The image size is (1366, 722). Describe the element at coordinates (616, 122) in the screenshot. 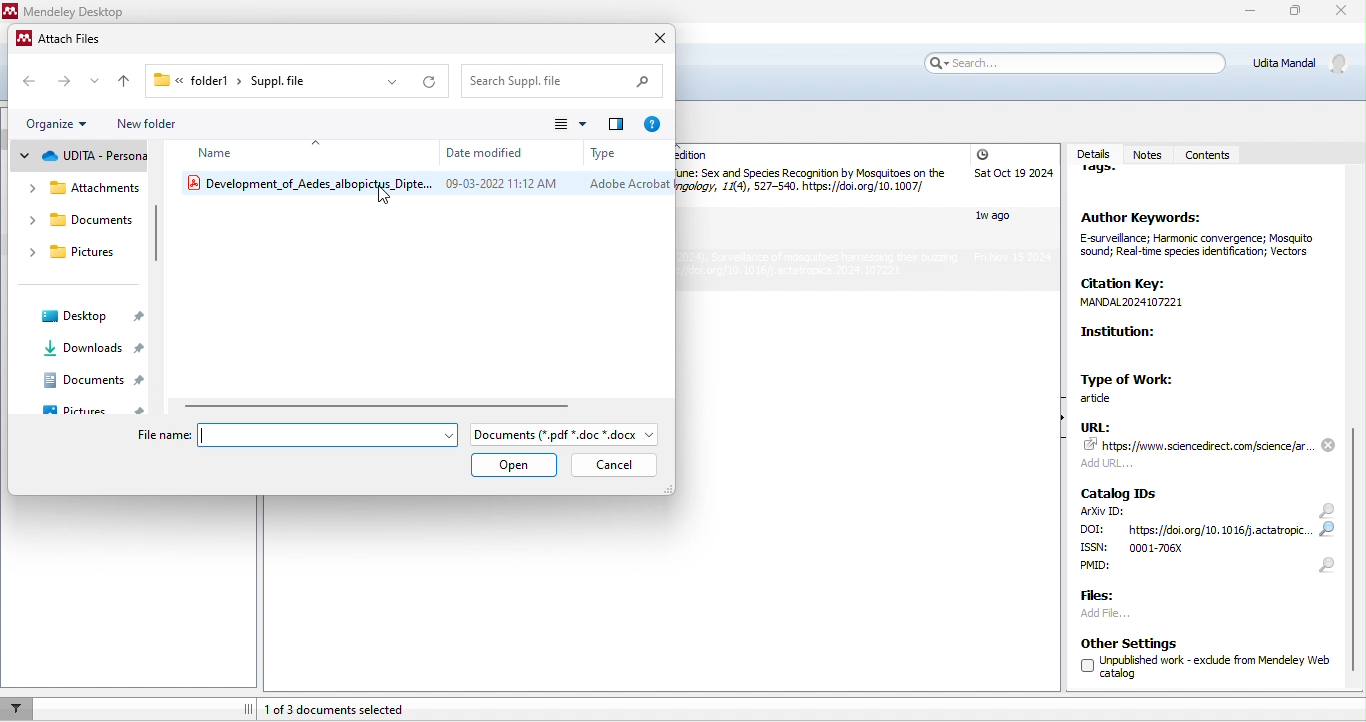

I see `preview pane` at that location.